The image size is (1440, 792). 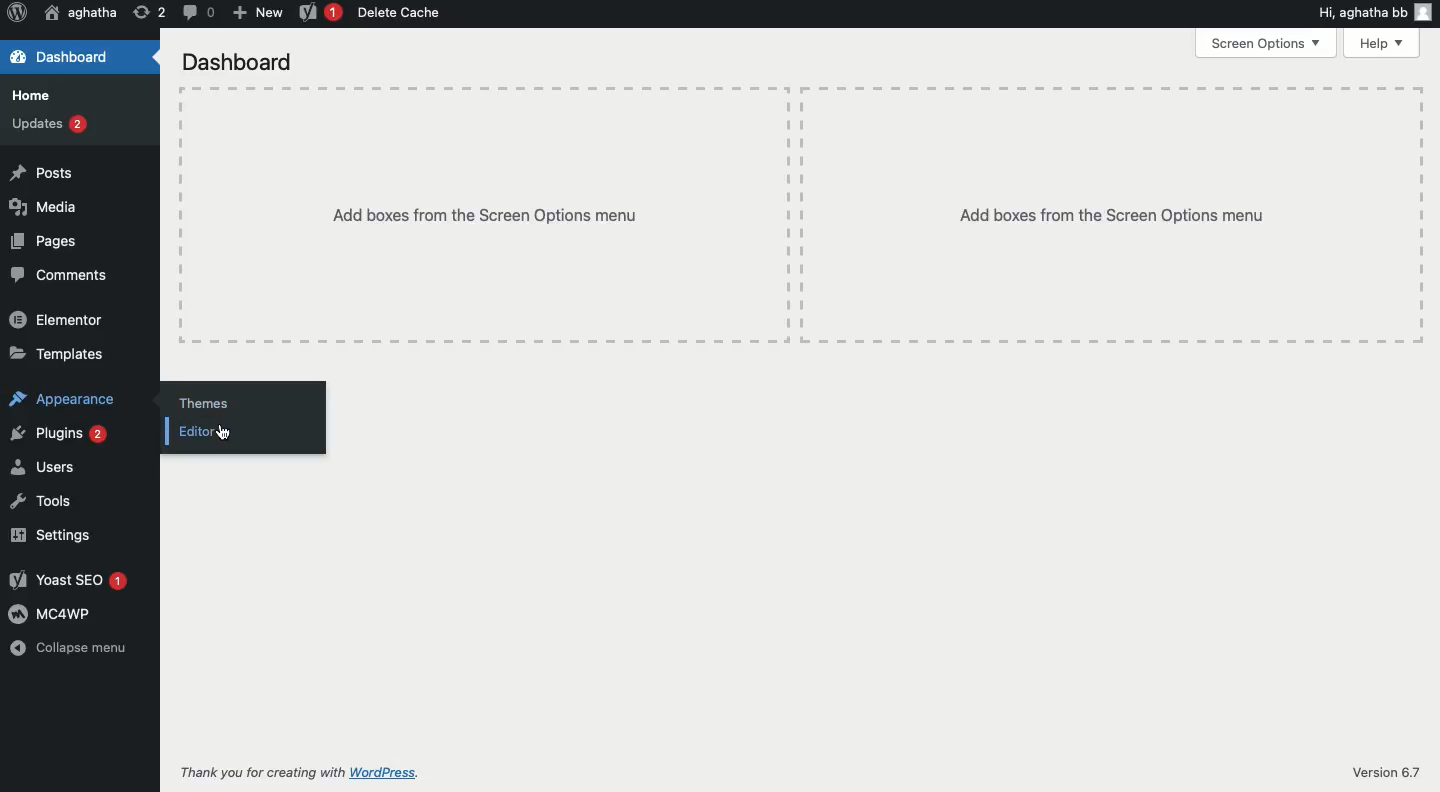 What do you see at coordinates (62, 55) in the screenshot?
I see `Dashboard` at bounding box center [62, 55].